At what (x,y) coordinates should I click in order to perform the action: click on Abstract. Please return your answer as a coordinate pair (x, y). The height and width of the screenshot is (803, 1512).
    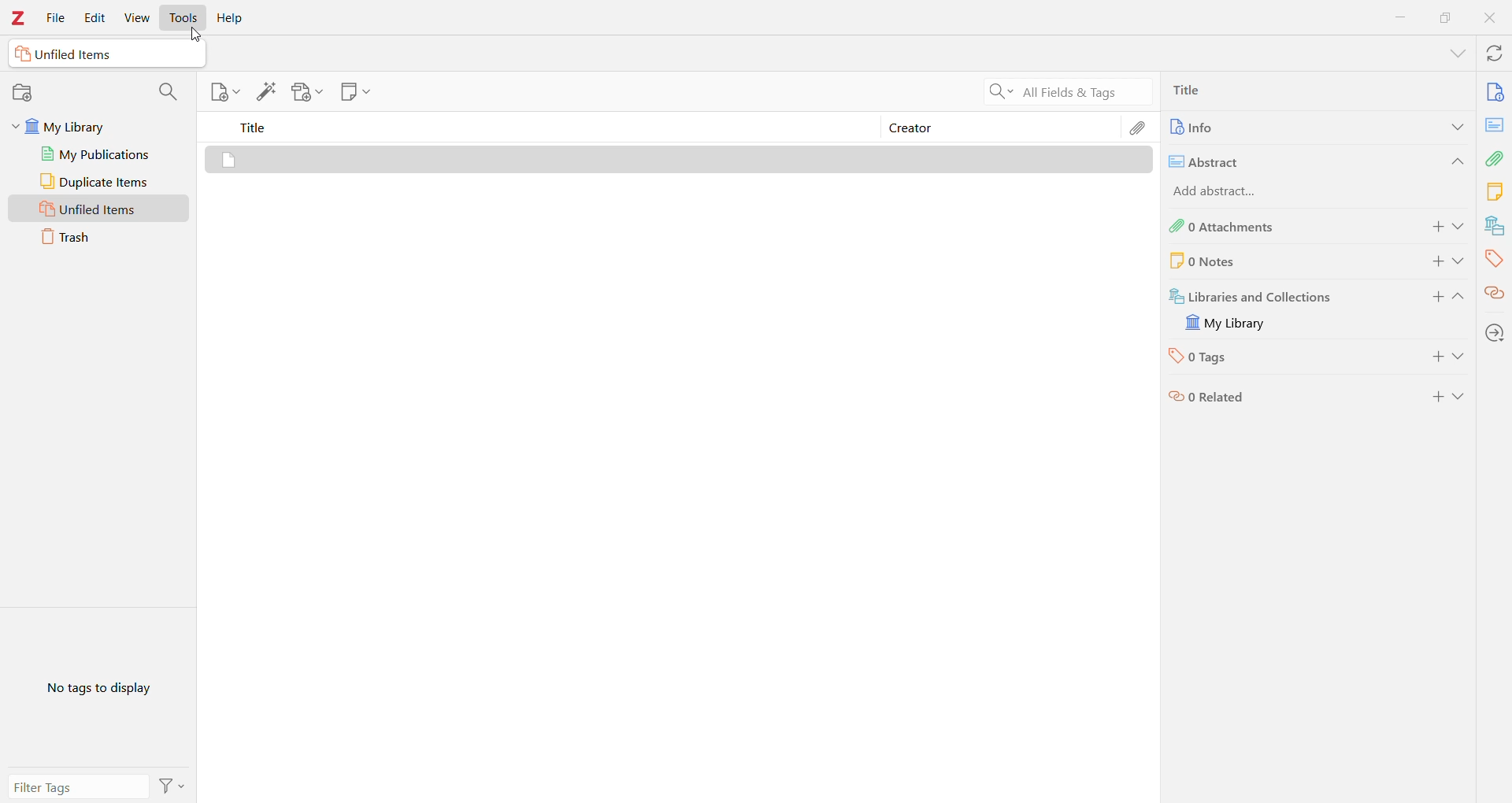
    Looking at the image, I should click on (1495, 126).